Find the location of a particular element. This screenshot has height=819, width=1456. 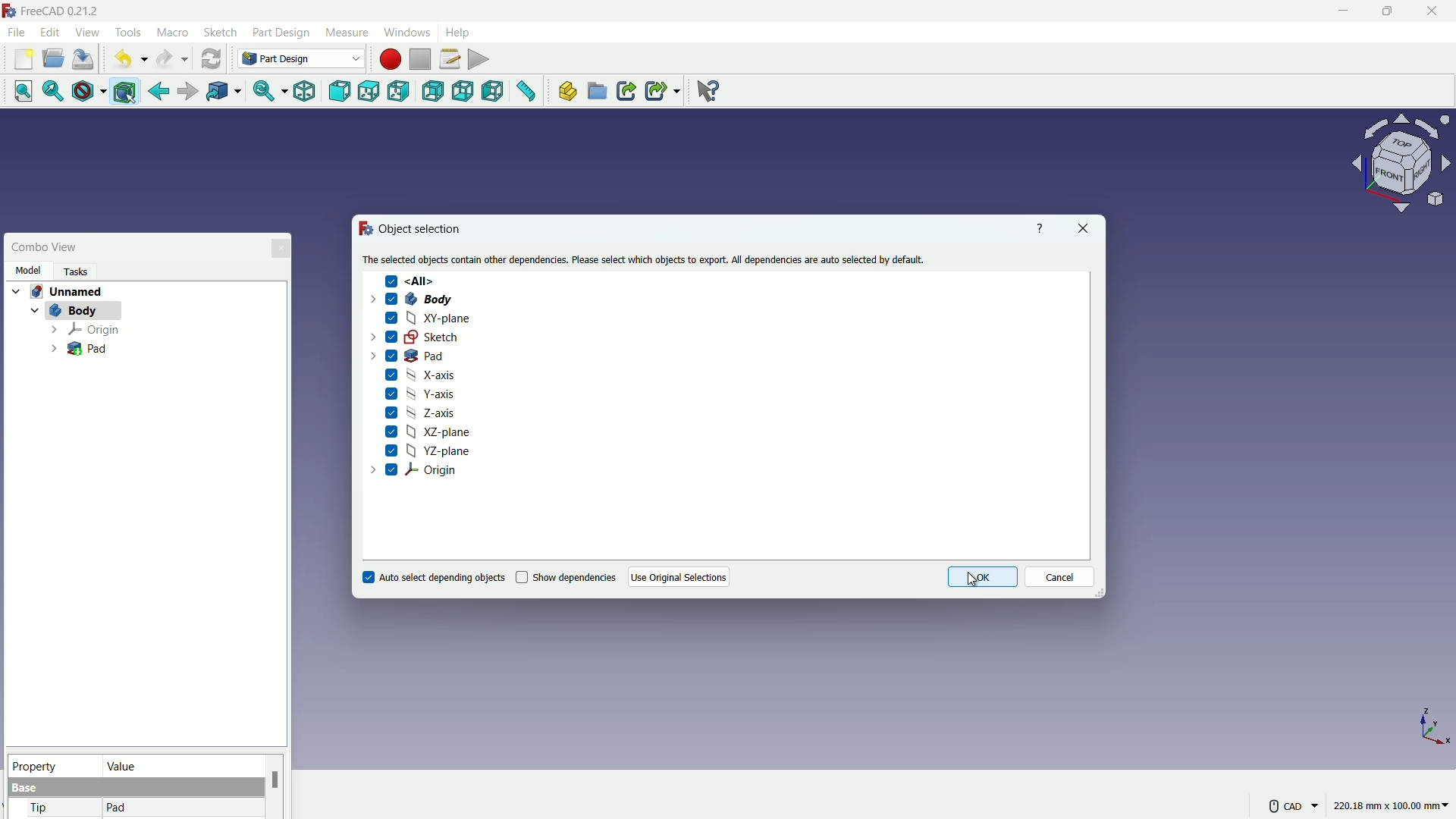

go back is located at coordinates (159, 92).